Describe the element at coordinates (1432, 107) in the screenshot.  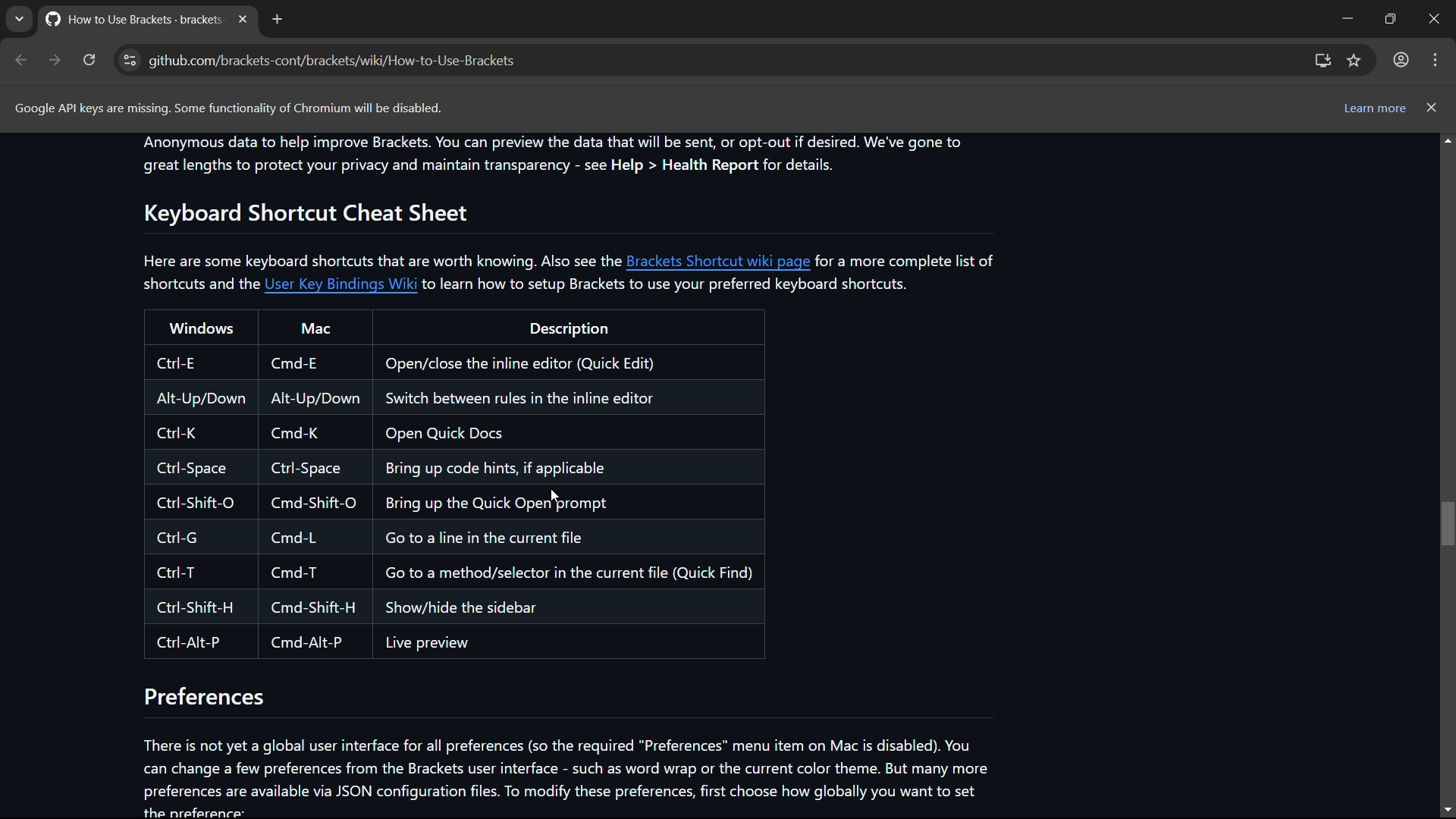
I see `close` at that location.